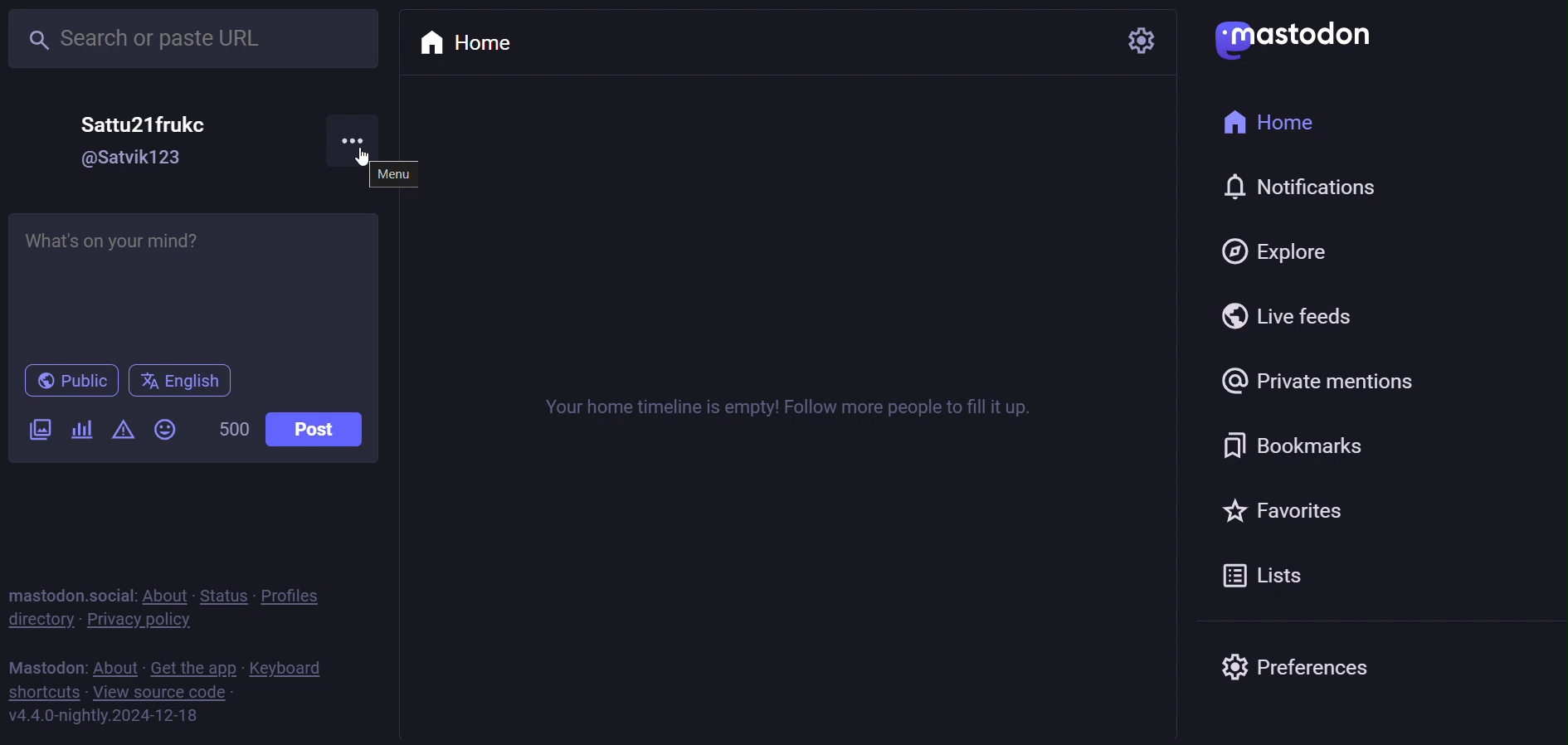 The height and width of the screenshot is (745, 1568). Describe the element at coordinates (104, 719) in the screenshot. I see `V4.4.0-nightly.2024-12-18` at that location.